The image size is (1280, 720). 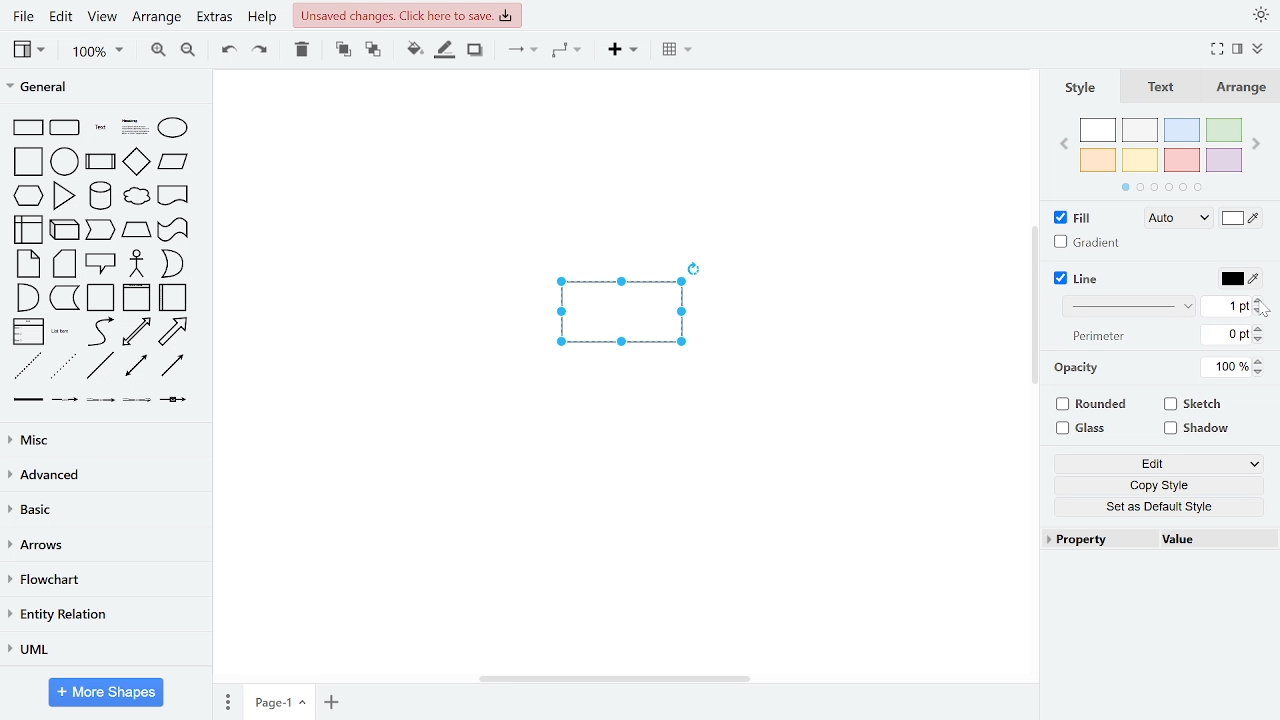 What do you see at coordinates (678, 51) in the screenshot?
I see `table` at bounding box center [678, 51].